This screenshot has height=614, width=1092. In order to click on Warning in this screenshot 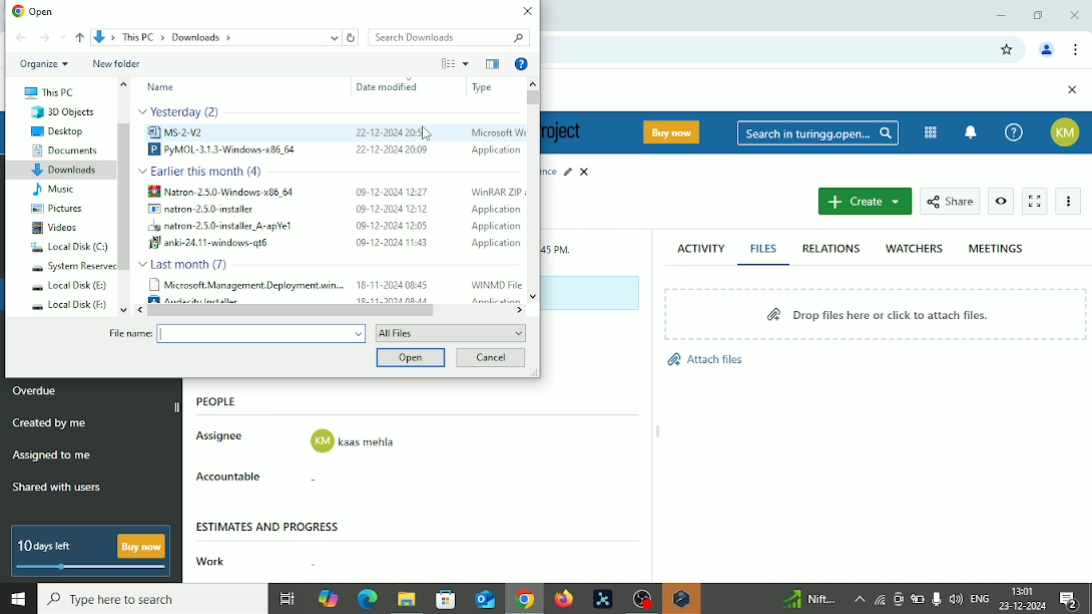, I will do `click(681, 599)`.